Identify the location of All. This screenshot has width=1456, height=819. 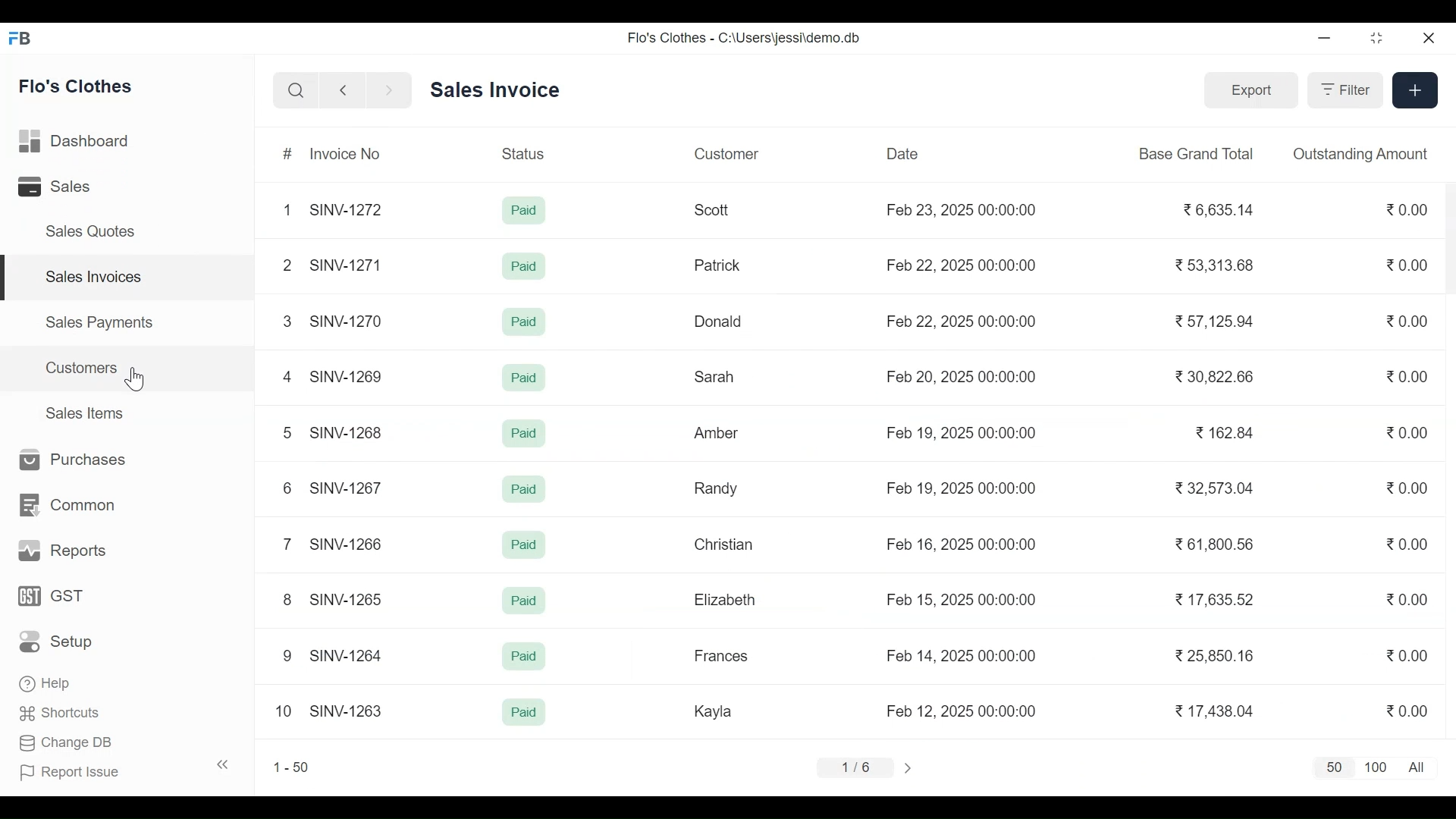
(1415, 766).